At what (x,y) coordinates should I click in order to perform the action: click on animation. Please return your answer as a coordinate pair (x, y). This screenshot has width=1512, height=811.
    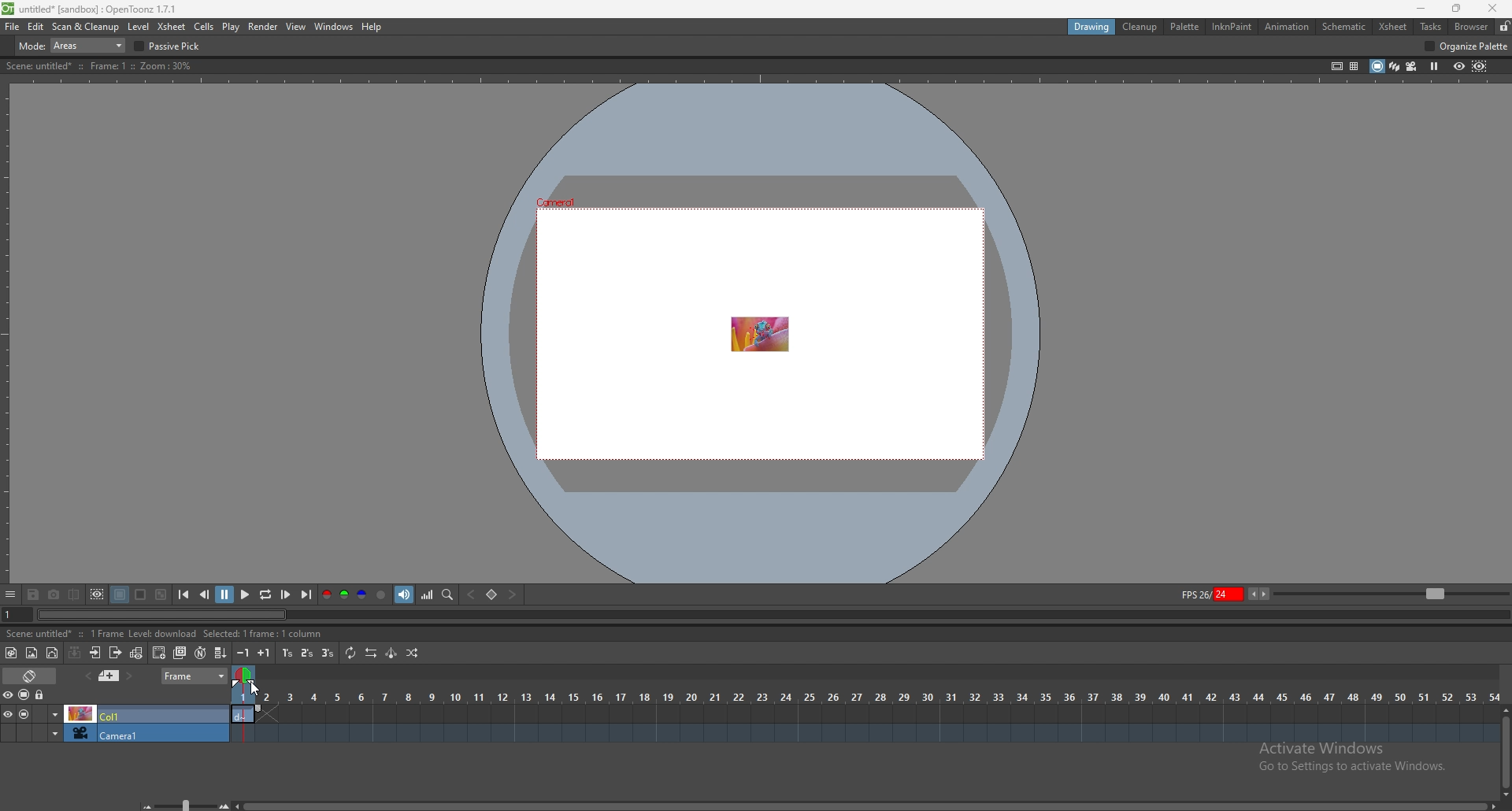
    Looking at the image, I should click on (1287, 28).